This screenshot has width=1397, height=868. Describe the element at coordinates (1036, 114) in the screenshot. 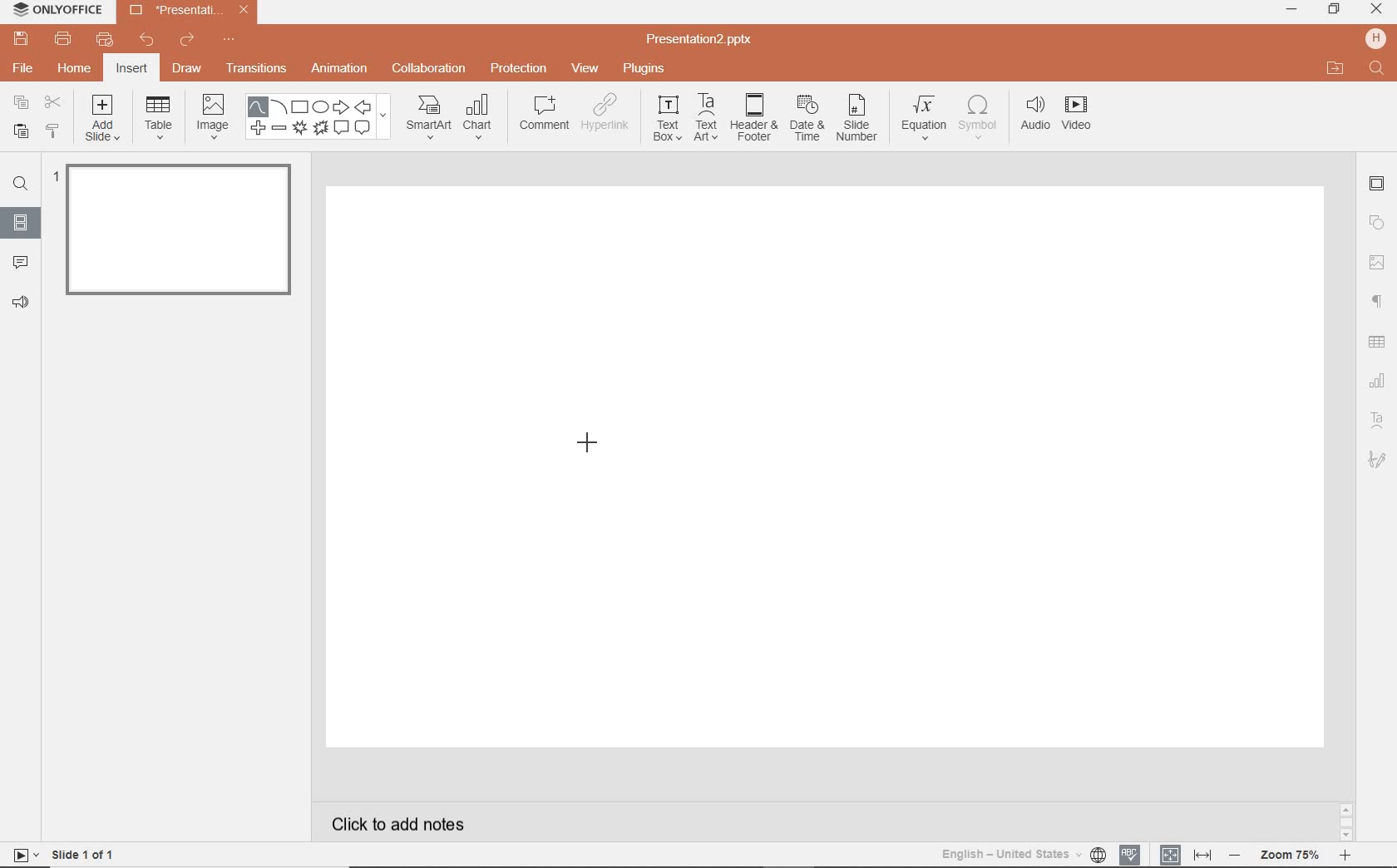

I see `AUDIO` at that location.